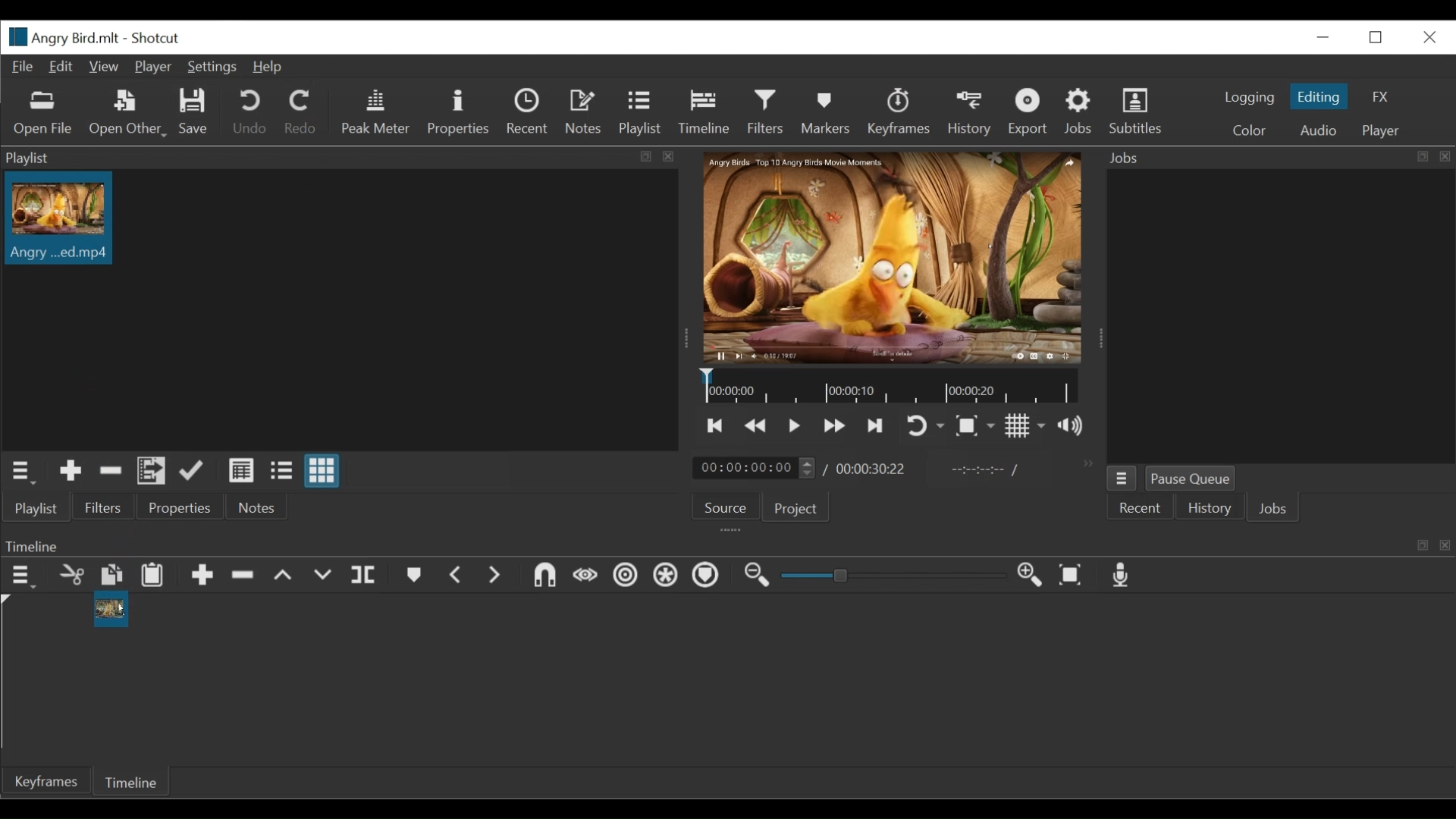 This screenshot has width=1456, height=819. What do you see at coordinates (925, 427) in the screenshot?
I see `Toggle player looping` at bounding box center [925, 427].